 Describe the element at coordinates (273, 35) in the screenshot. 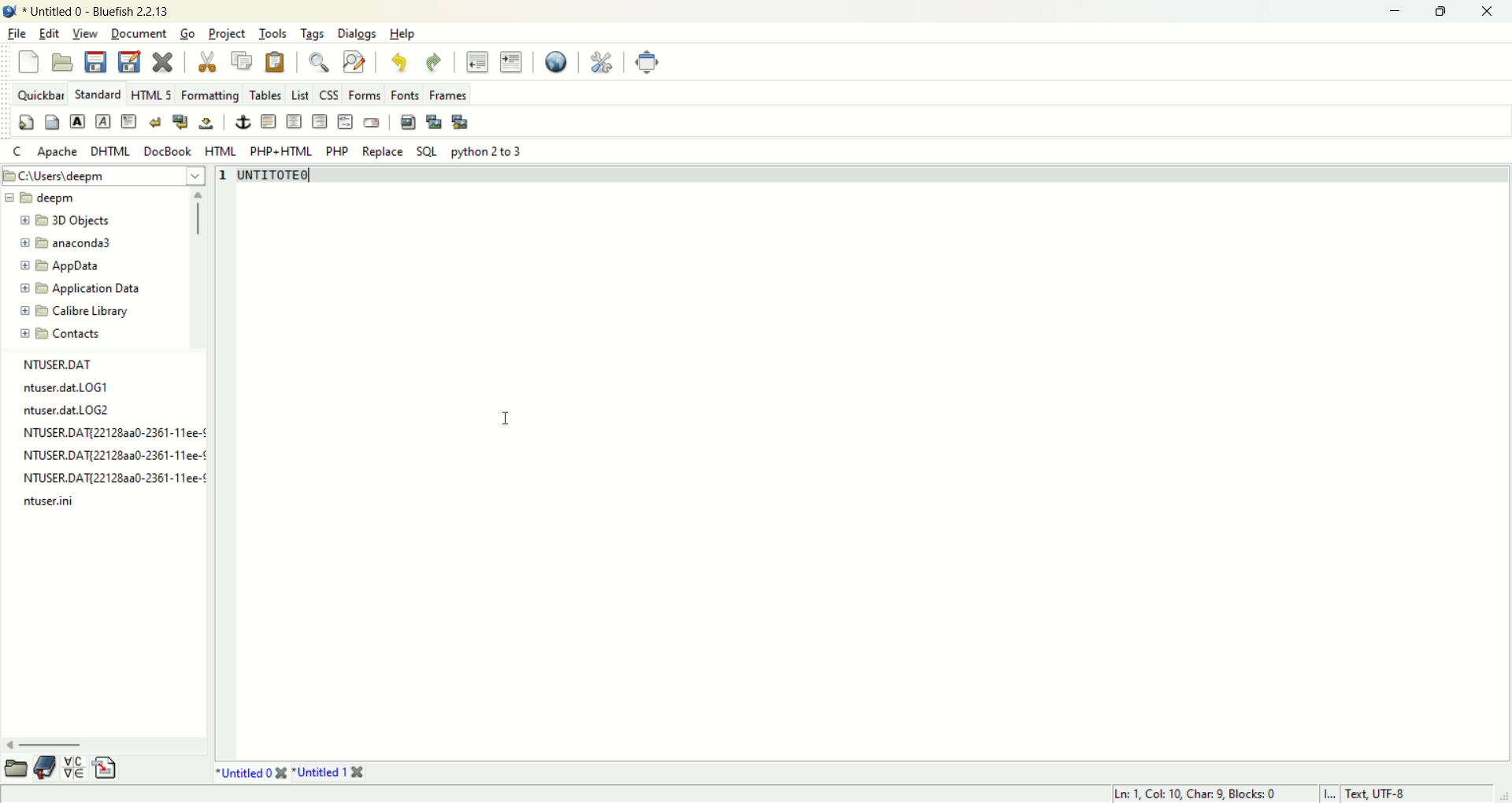

I see `tools` at that location.